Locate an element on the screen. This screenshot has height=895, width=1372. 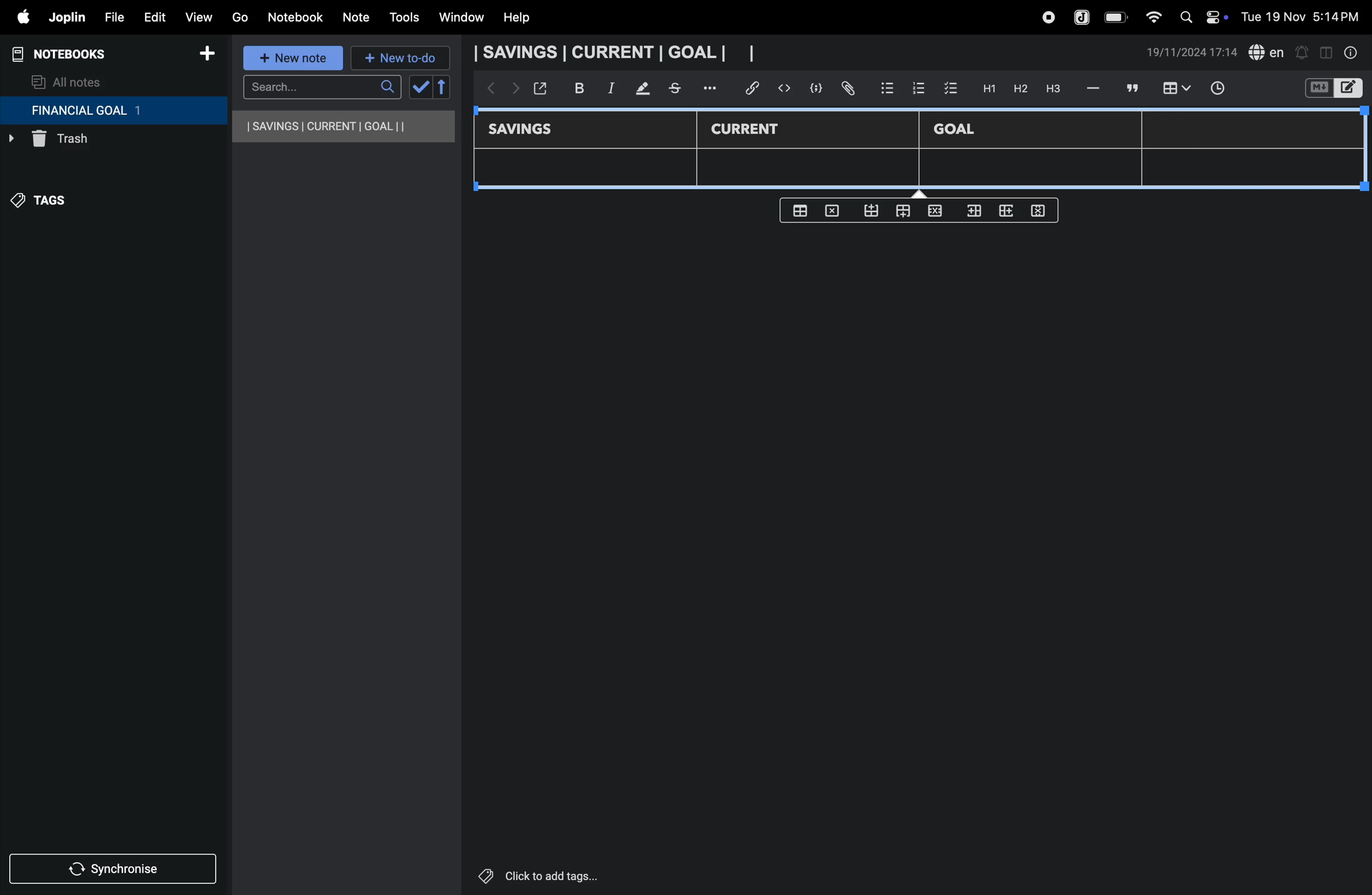
alert is located at coordinates (1301, 52).